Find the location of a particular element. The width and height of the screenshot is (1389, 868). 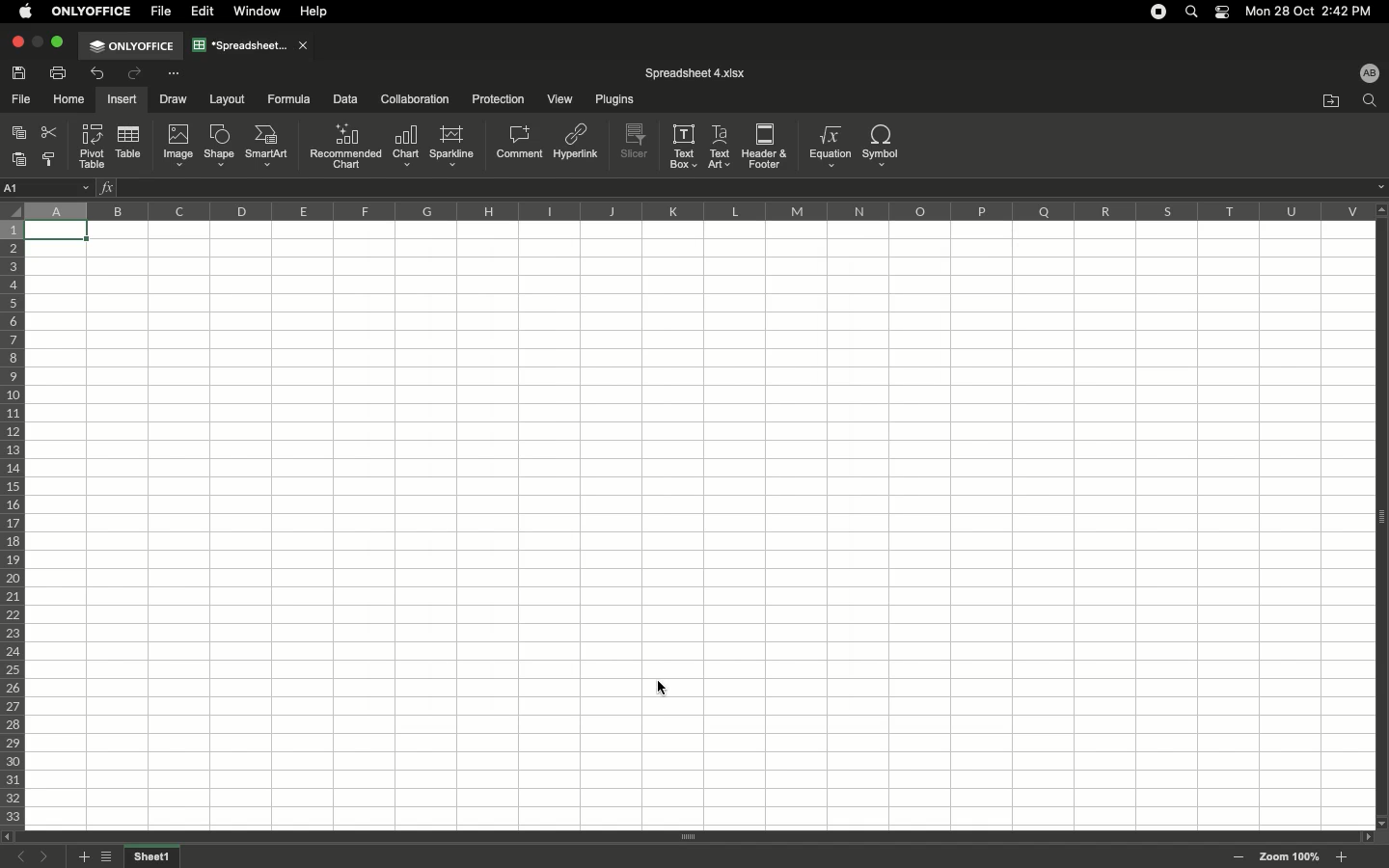

Row is located at coordinates (14, 524).